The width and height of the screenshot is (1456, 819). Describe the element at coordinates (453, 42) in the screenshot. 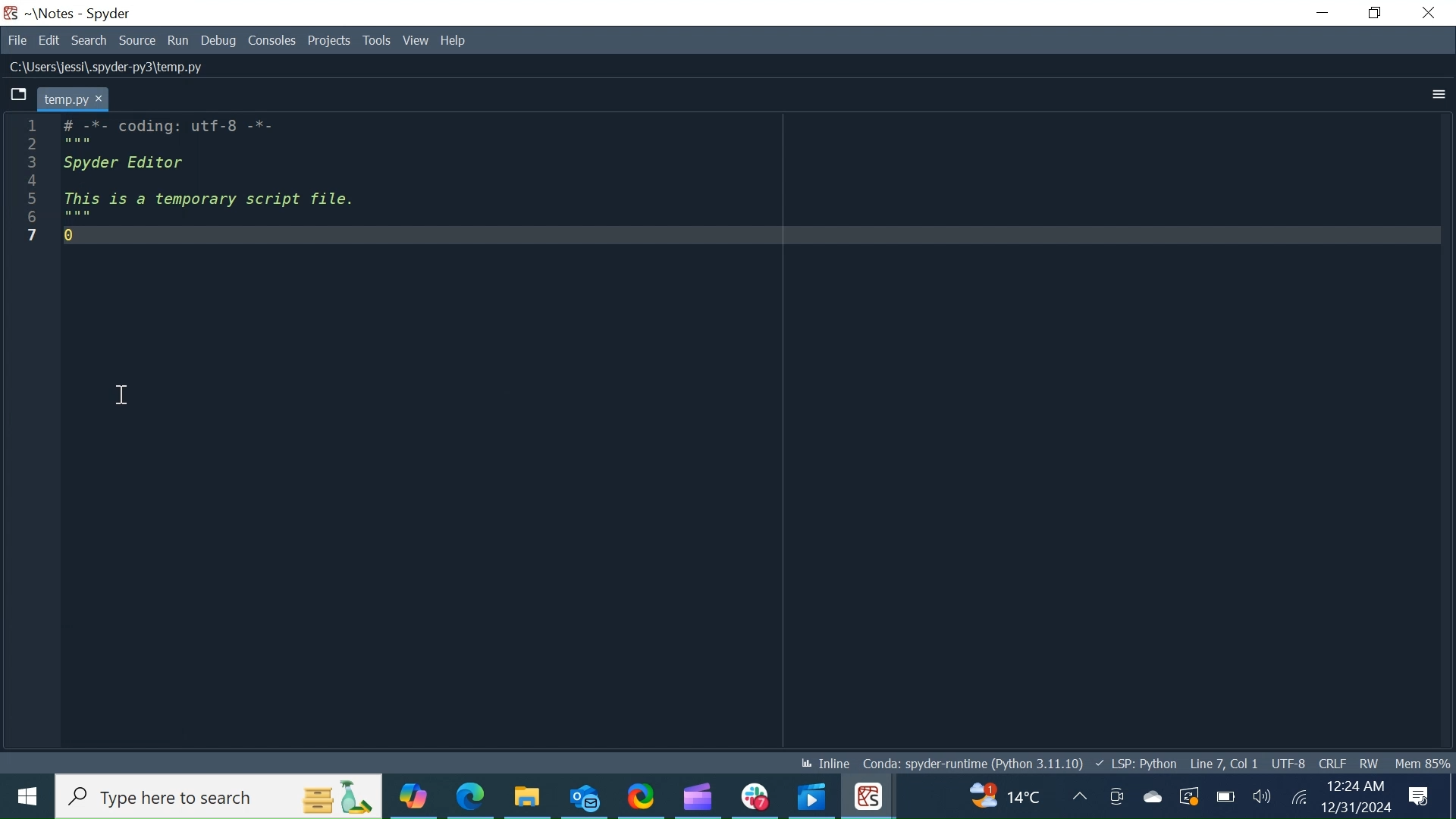

I see `Help` at that location.